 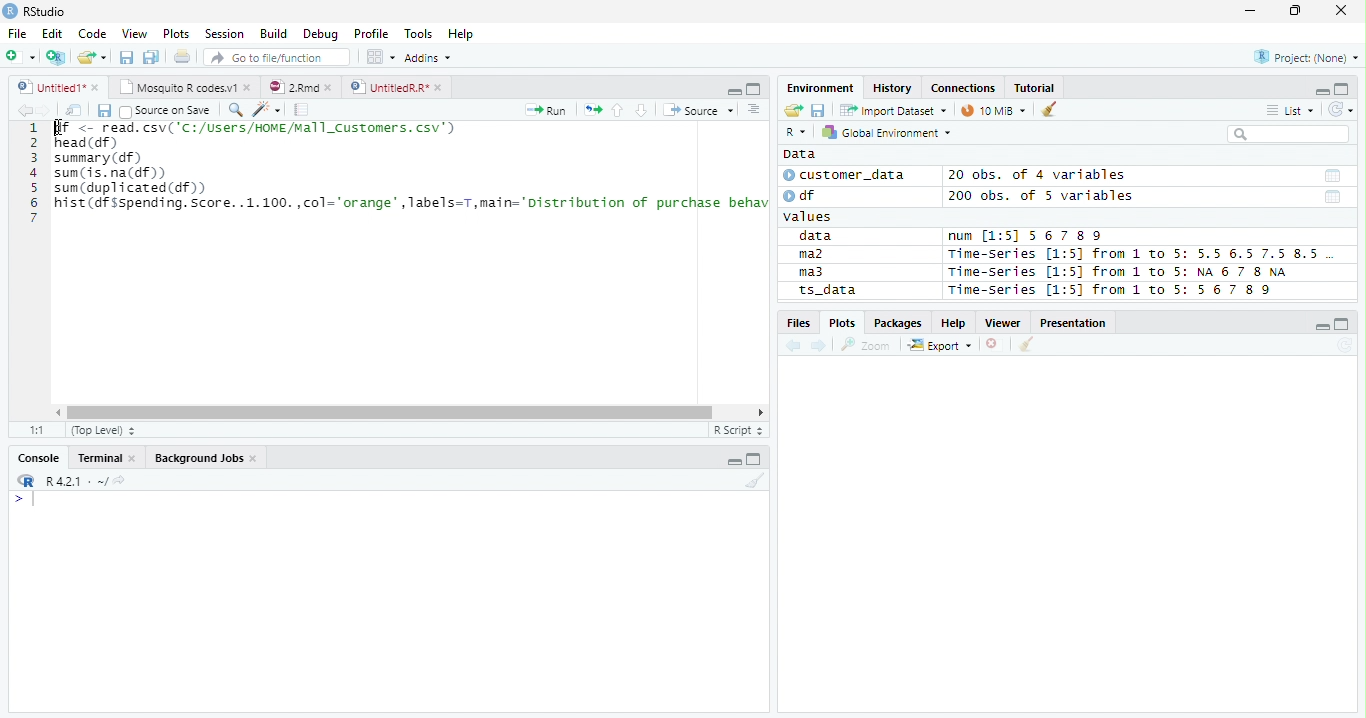 What do you see at coordinates (887, 132) in the screenshot?
I see `Global Environment` at bounding box center [887, 132].